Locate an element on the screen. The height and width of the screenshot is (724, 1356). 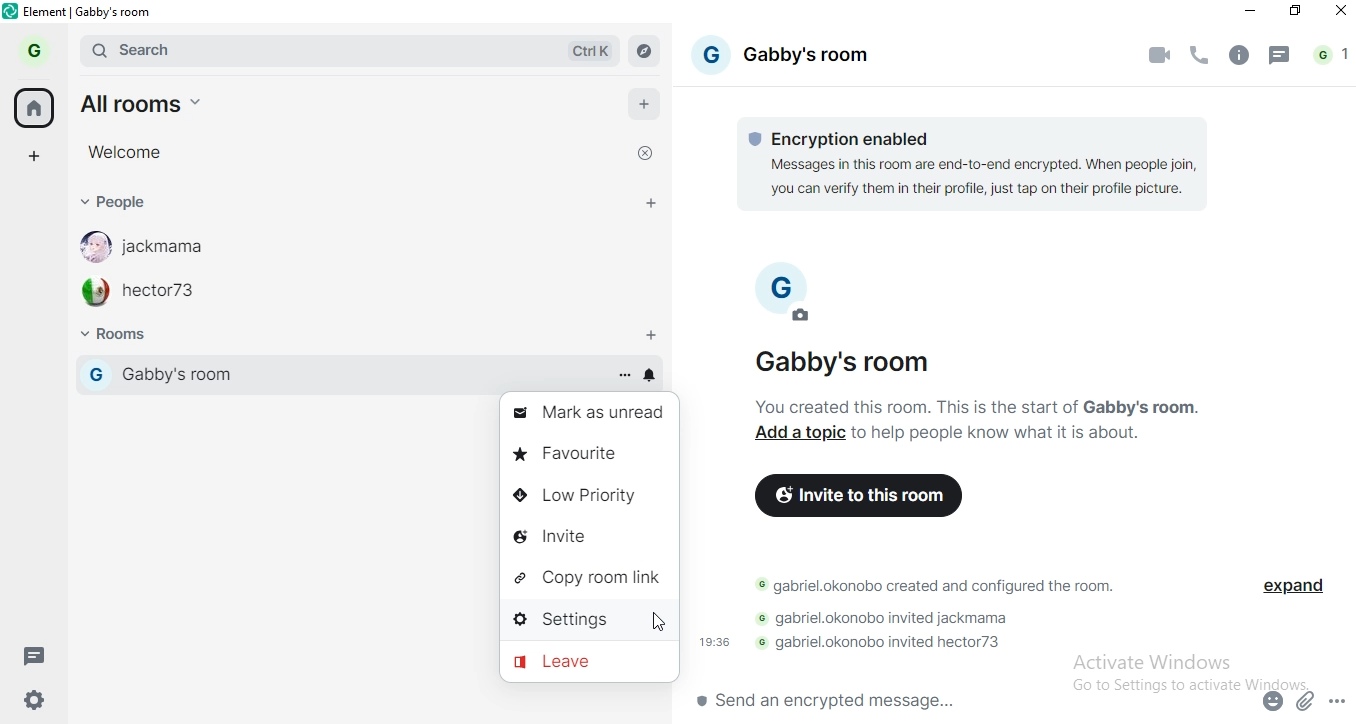
low priority is located at coordinates (592, 496).